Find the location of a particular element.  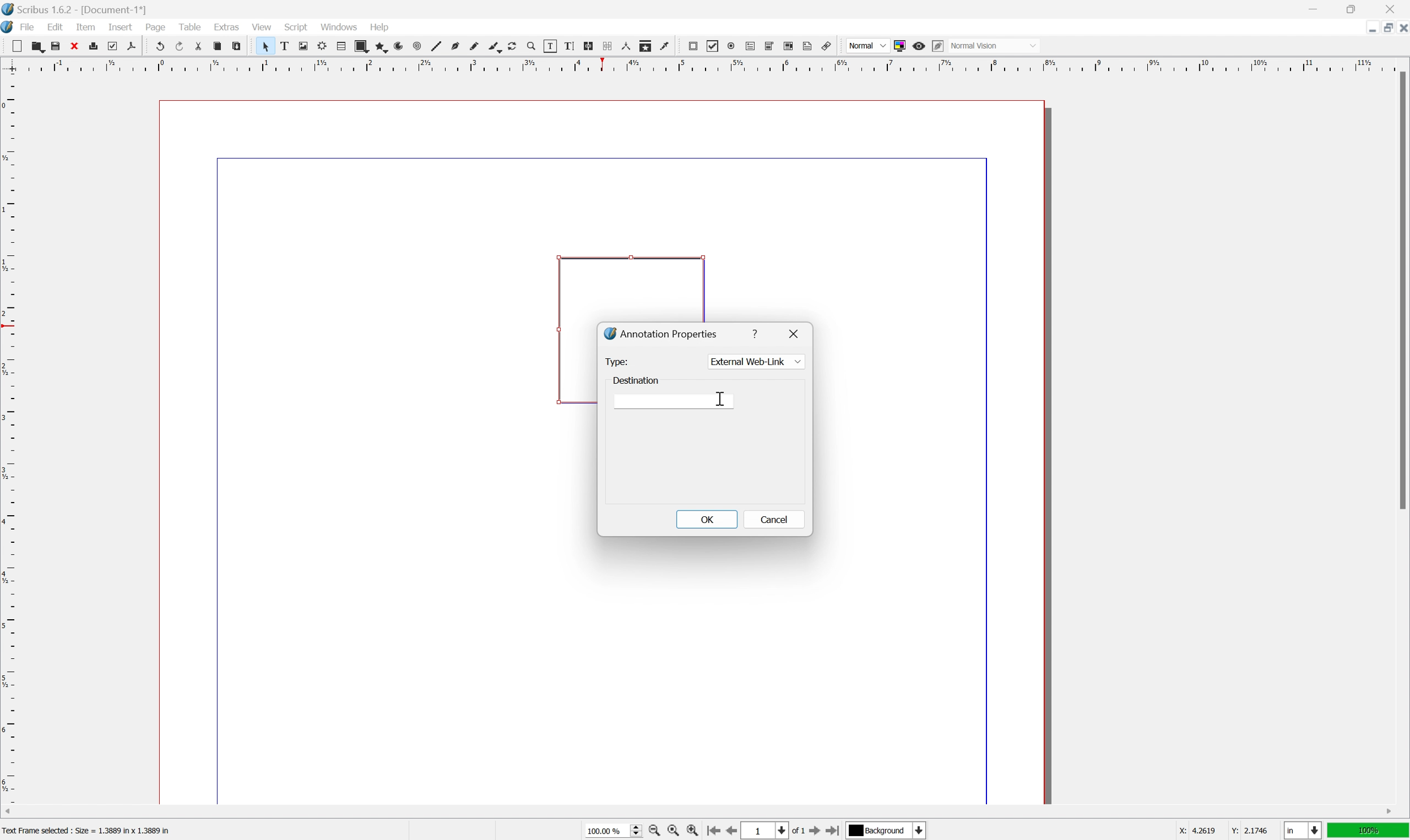

page is located at coordinates (155, 27).